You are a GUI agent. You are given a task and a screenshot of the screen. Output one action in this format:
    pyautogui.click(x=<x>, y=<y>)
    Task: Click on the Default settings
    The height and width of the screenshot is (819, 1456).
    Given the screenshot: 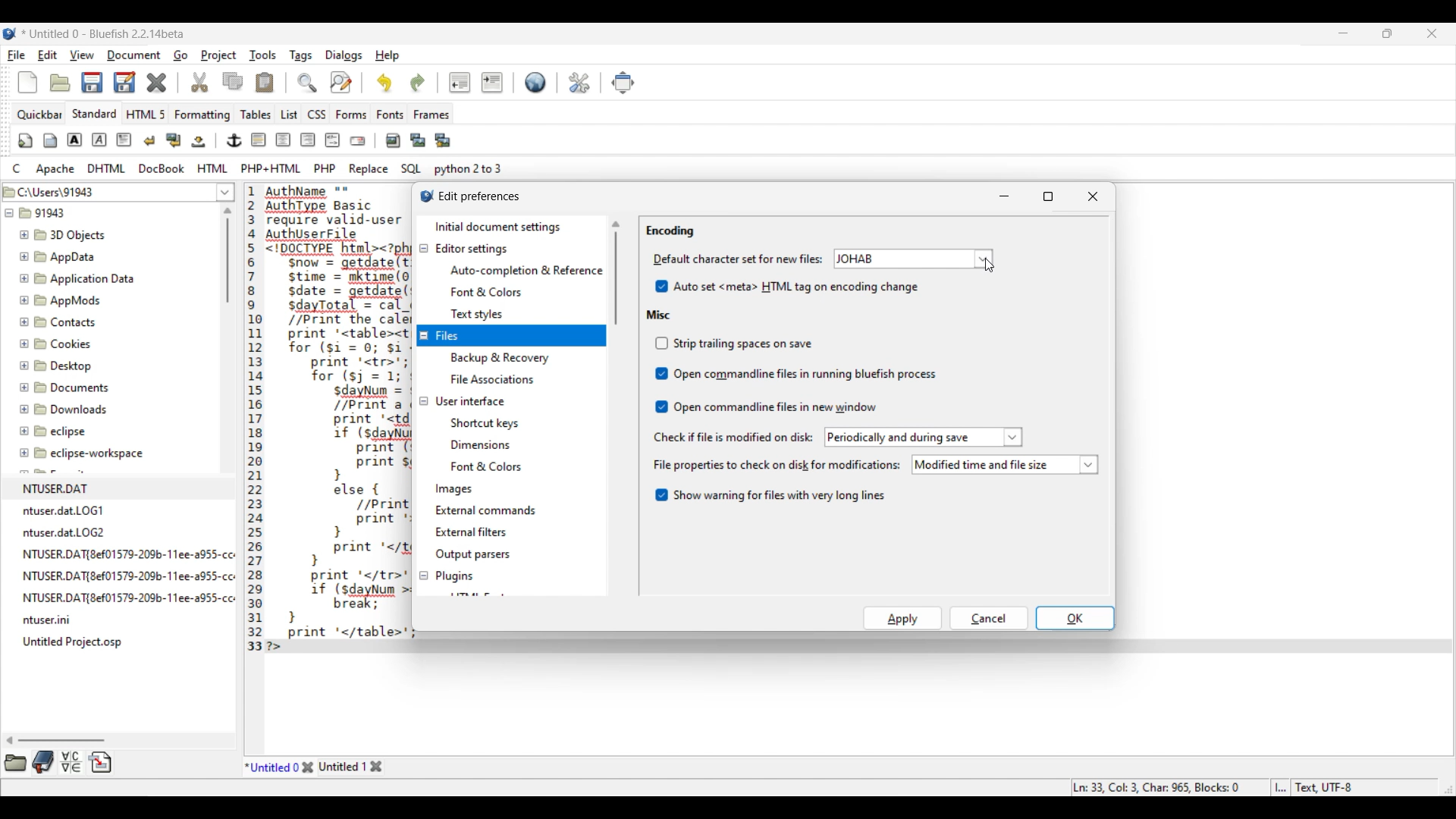 What is the action you would take?
    pyautogui.click(x=535, y=82)
    